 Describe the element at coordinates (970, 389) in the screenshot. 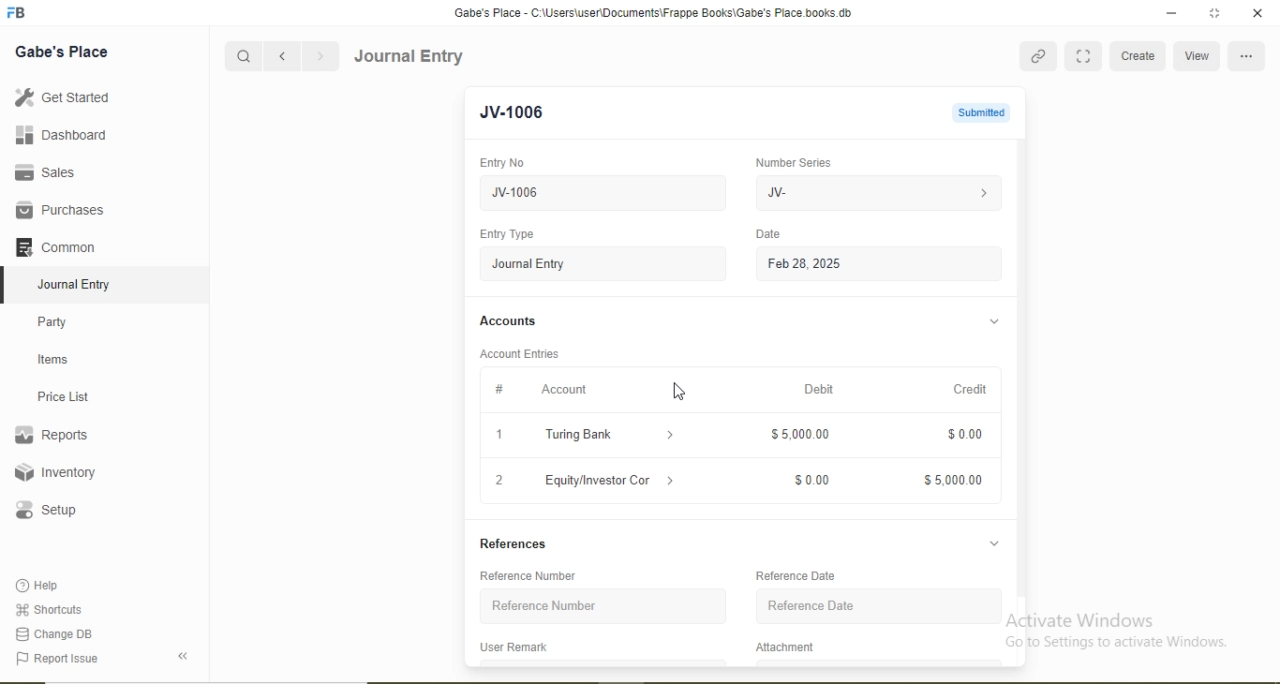

I see `Credit` at that location.